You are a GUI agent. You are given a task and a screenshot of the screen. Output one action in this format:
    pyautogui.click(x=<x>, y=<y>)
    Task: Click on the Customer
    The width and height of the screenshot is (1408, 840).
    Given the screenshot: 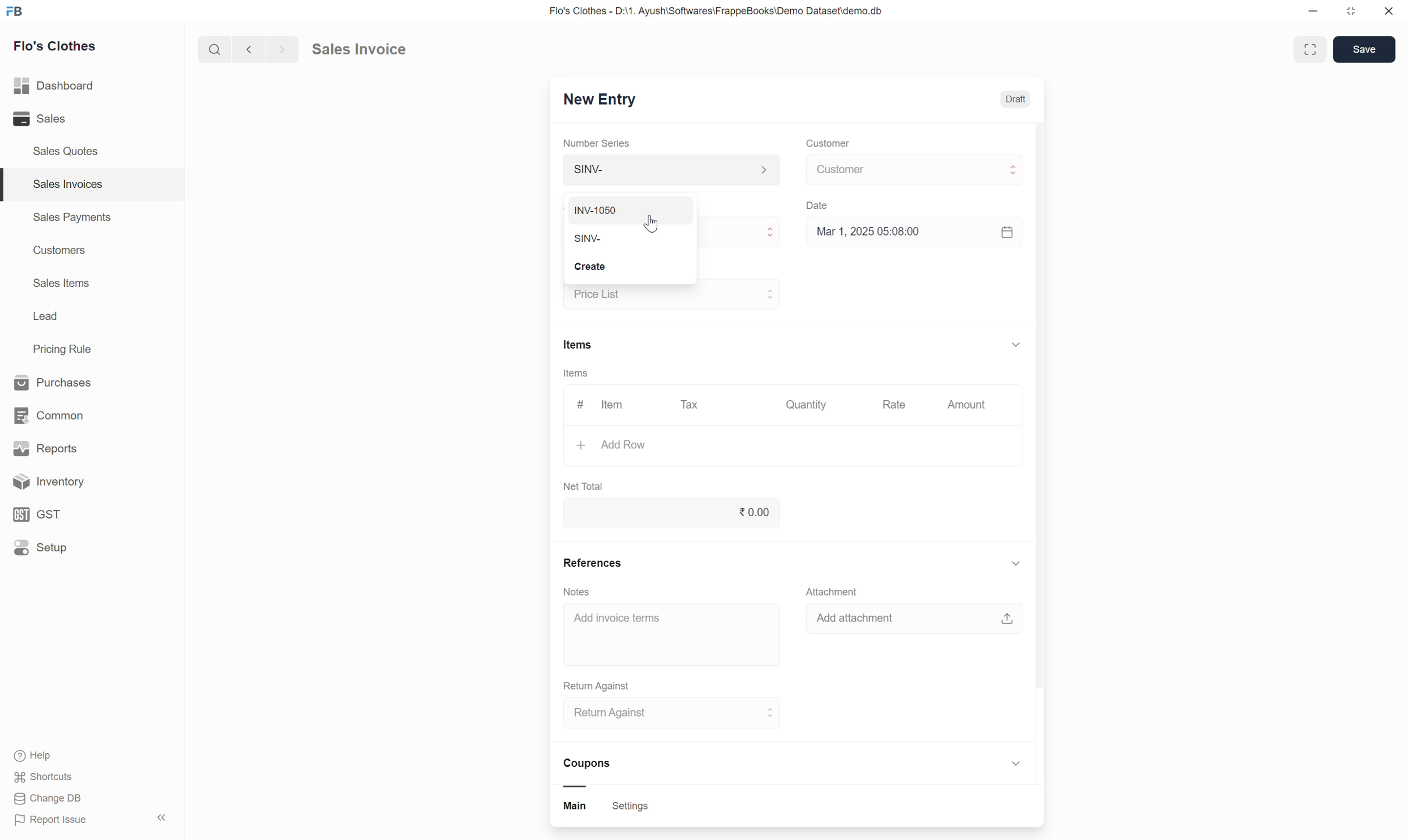 What is the action you would take?
    pyautogui.click(x=827, y=144)
    